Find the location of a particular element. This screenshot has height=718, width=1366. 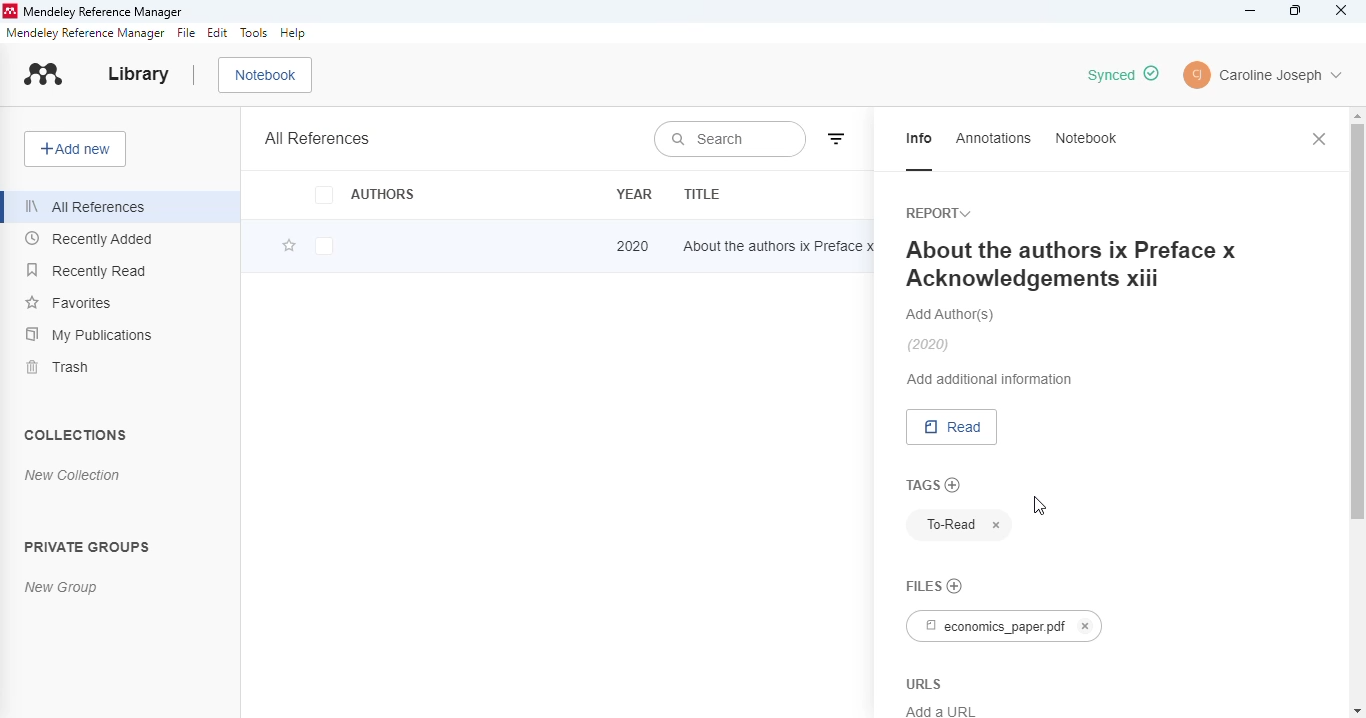

edit is located at coordinates (219, 33).